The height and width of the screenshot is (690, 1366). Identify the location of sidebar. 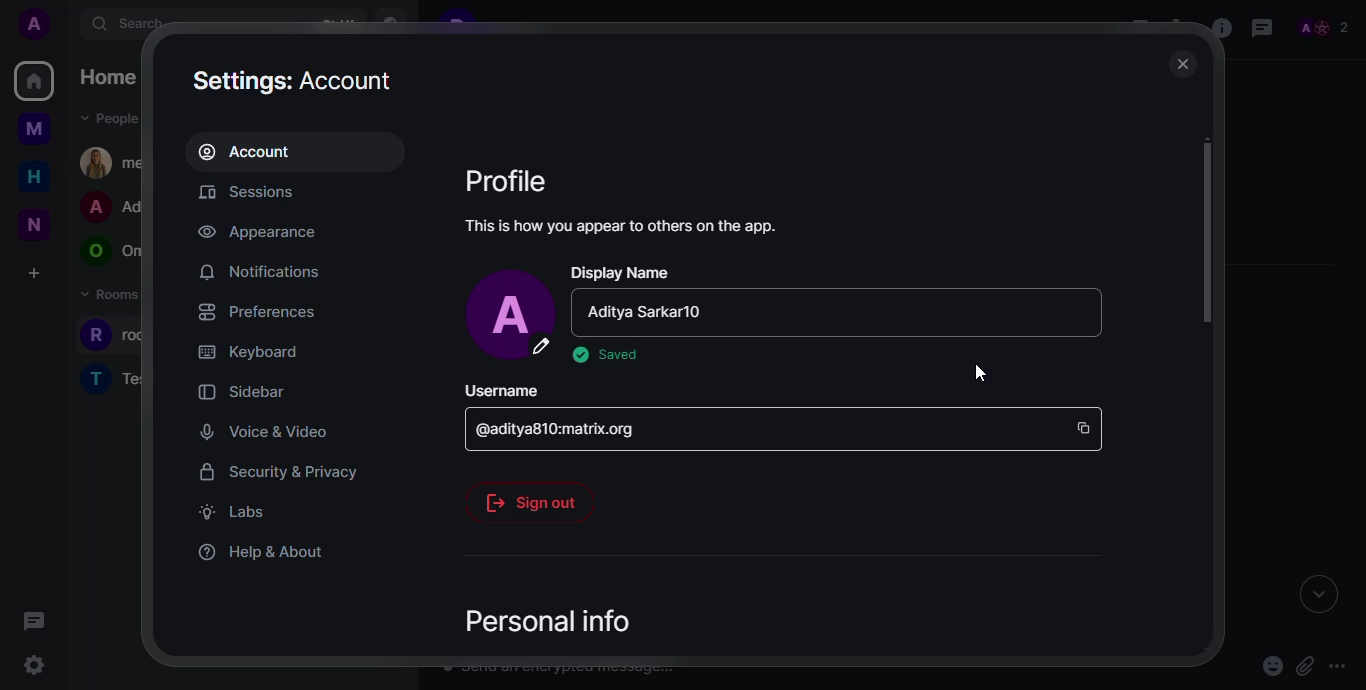
(240, 391).